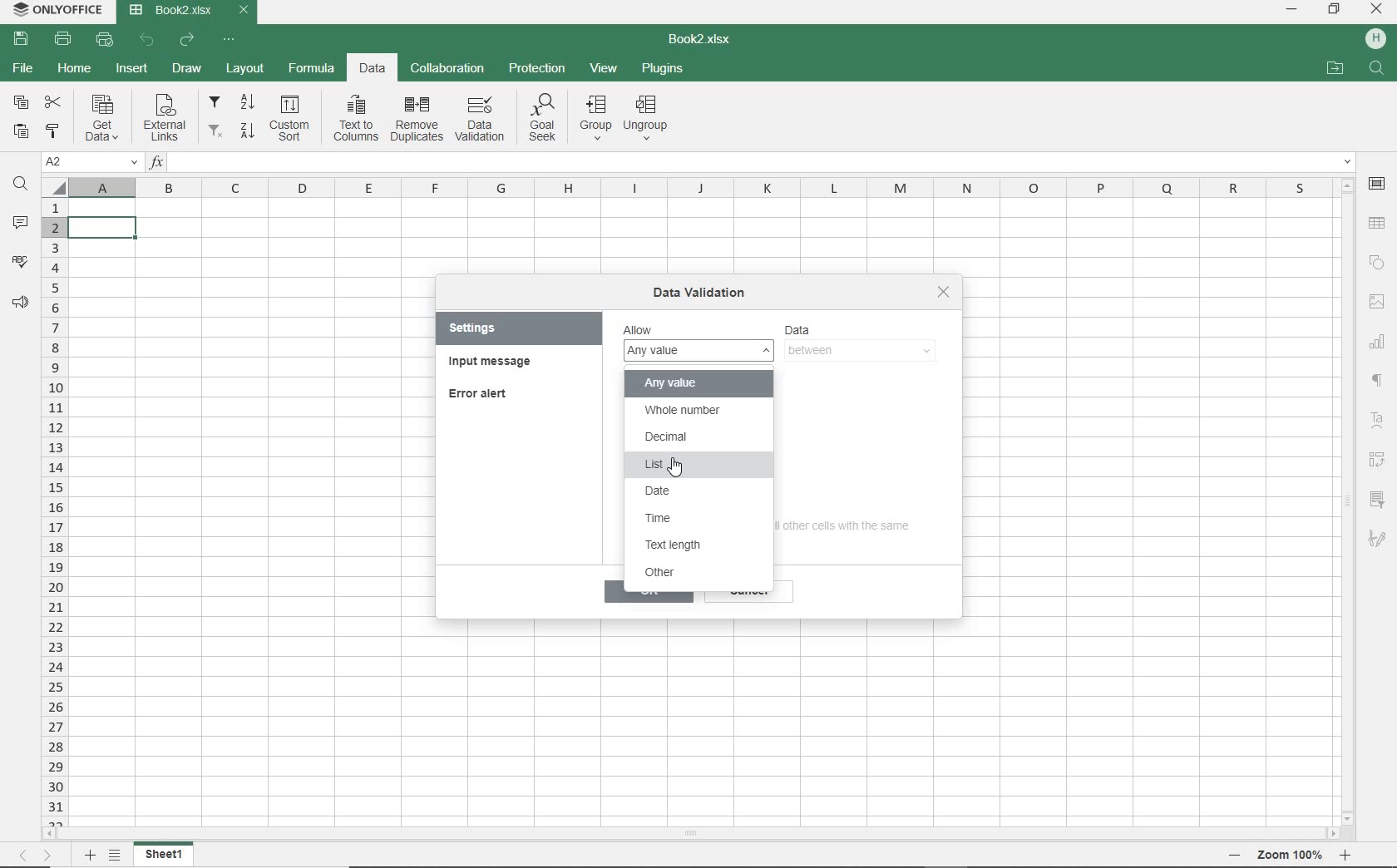 The width and height of the screenshot is (1397, 868). Describe the element at coordinates (90, 856) in the screenshot. I see `ADD SHEET` at that location.